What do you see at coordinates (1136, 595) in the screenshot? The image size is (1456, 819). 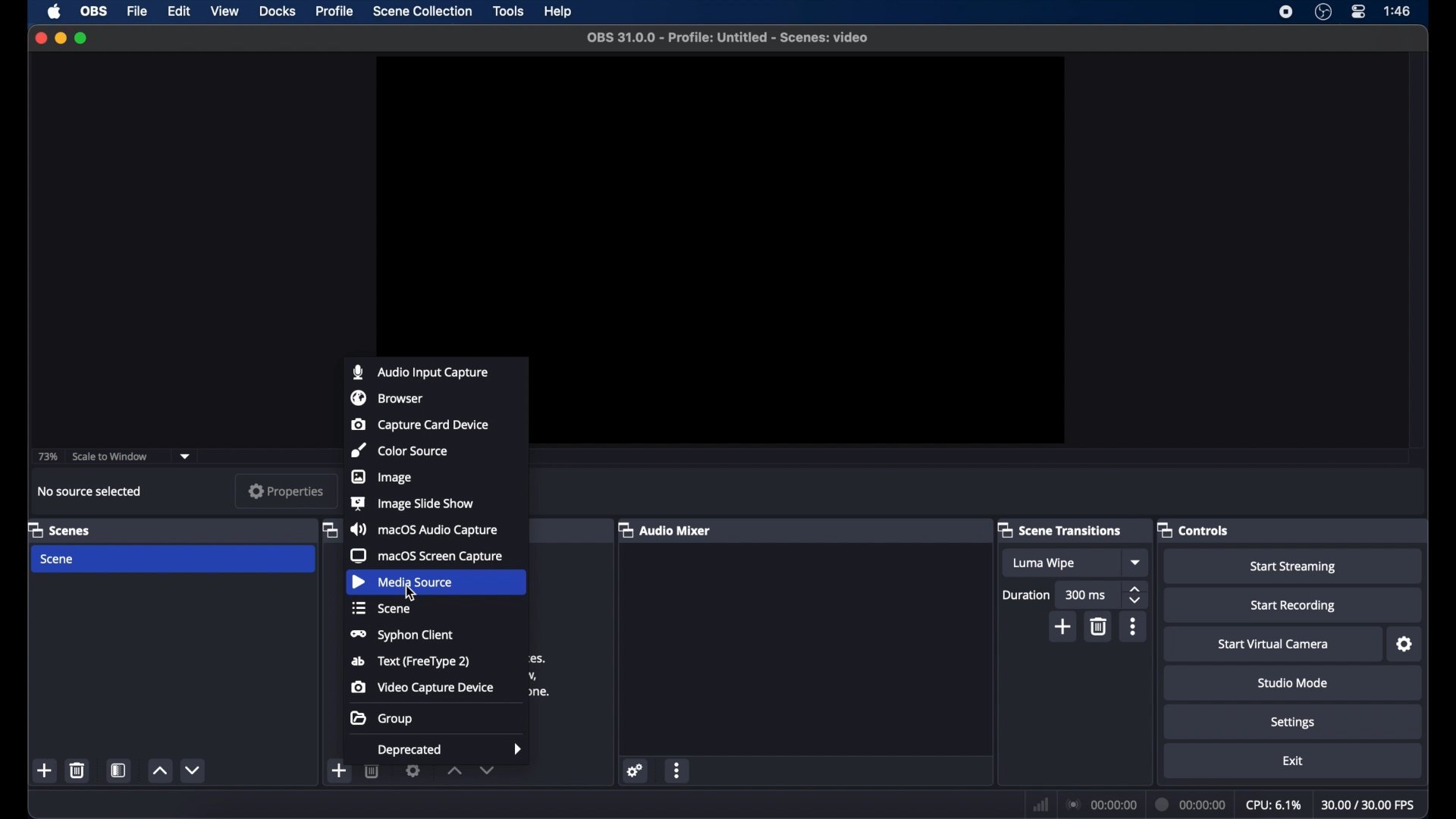 I see `stepper buttons` at bounding box center [1136, 595].